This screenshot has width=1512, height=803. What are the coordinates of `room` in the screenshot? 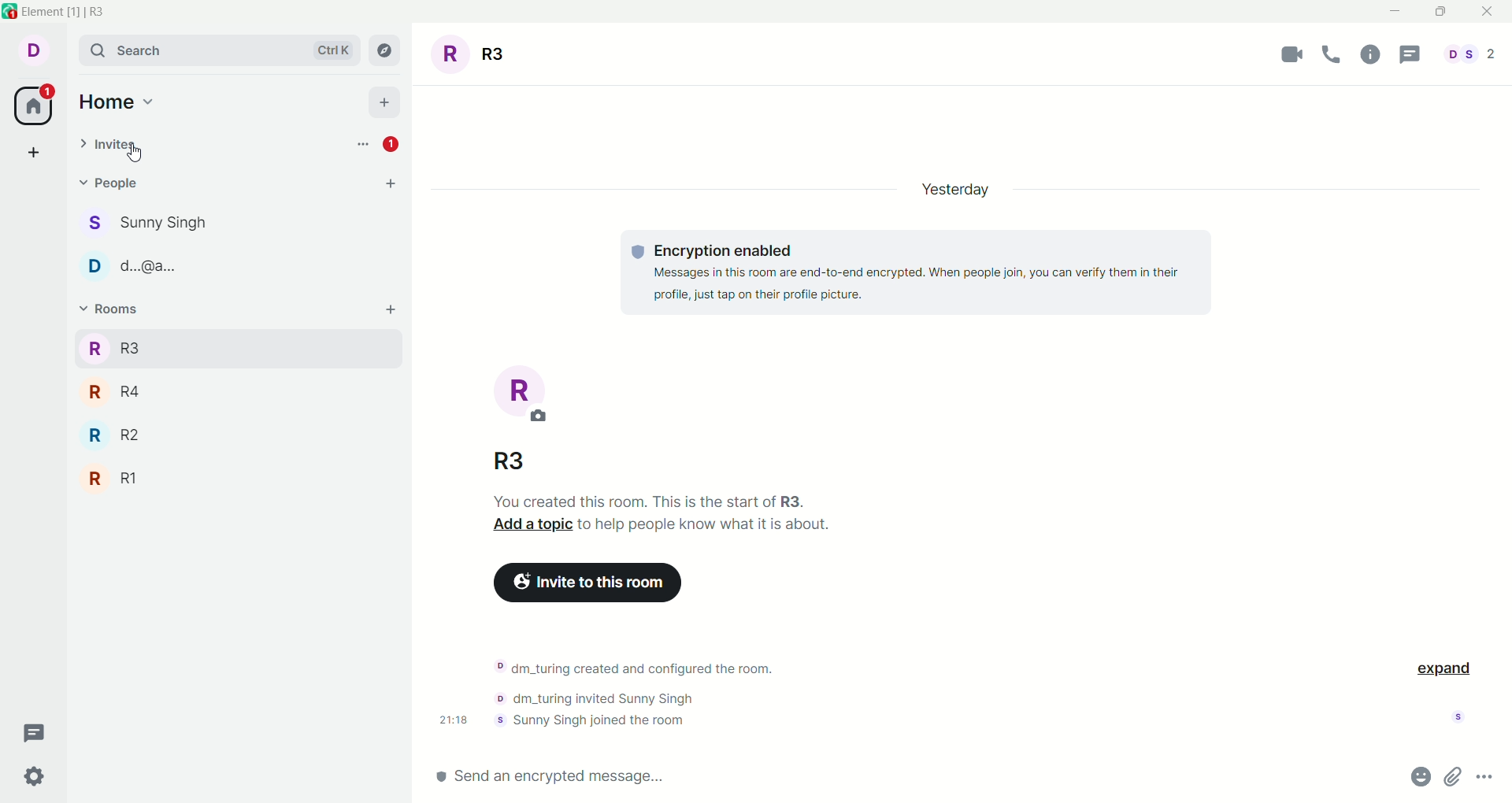 It's located at (475, 55).